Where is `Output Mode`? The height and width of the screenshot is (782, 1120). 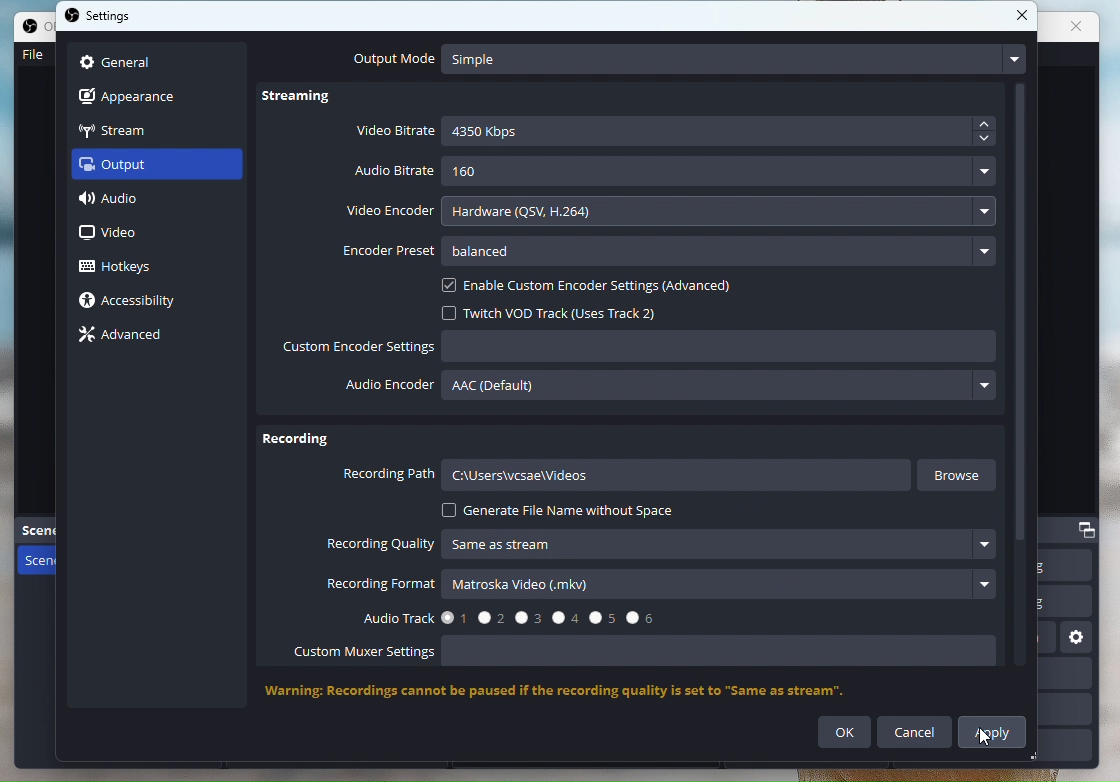
Output Mode is located at coordinates (685, 59).